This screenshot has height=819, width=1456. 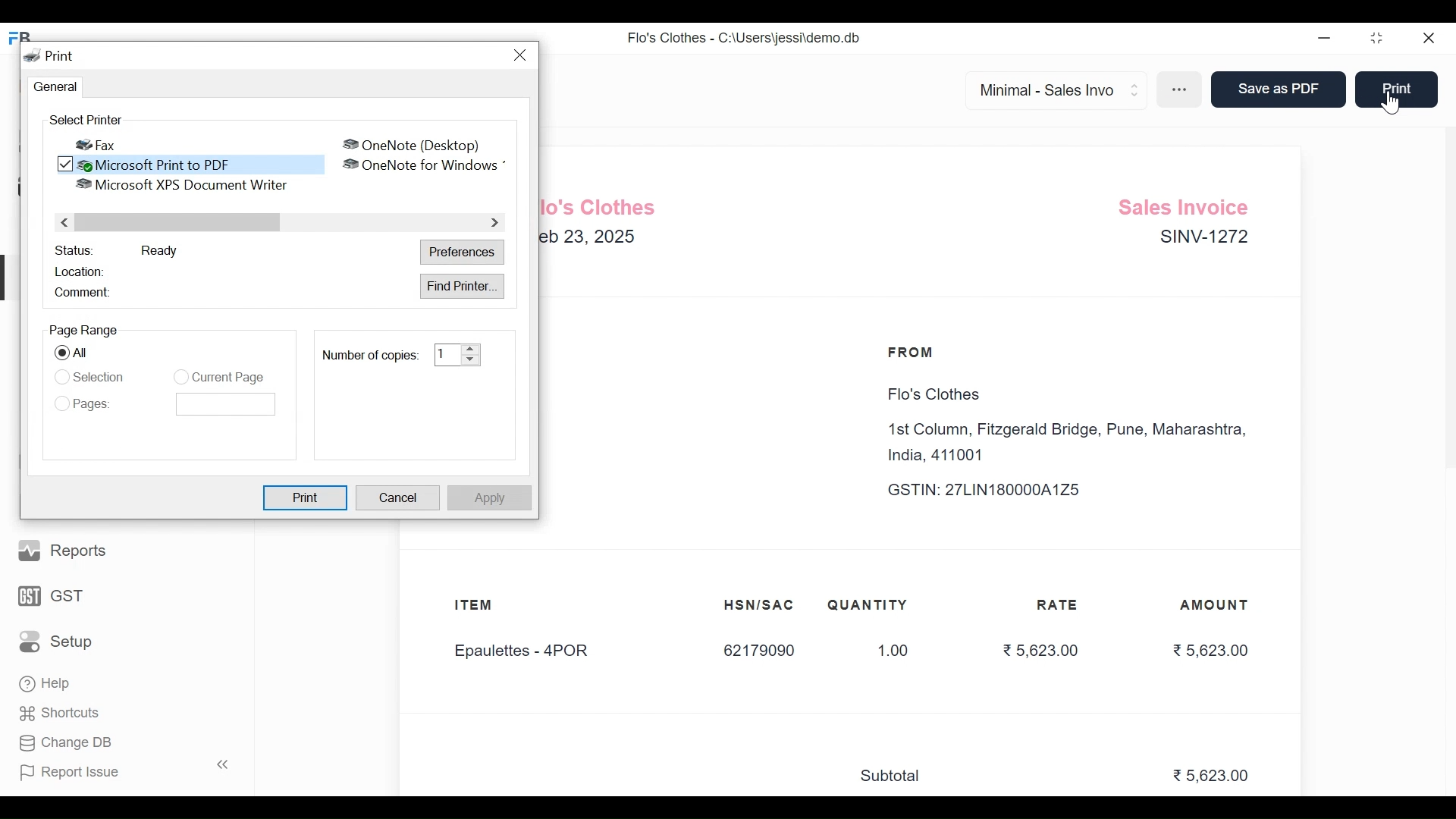 I want to click on 1.00, so click(x=885, y=651).